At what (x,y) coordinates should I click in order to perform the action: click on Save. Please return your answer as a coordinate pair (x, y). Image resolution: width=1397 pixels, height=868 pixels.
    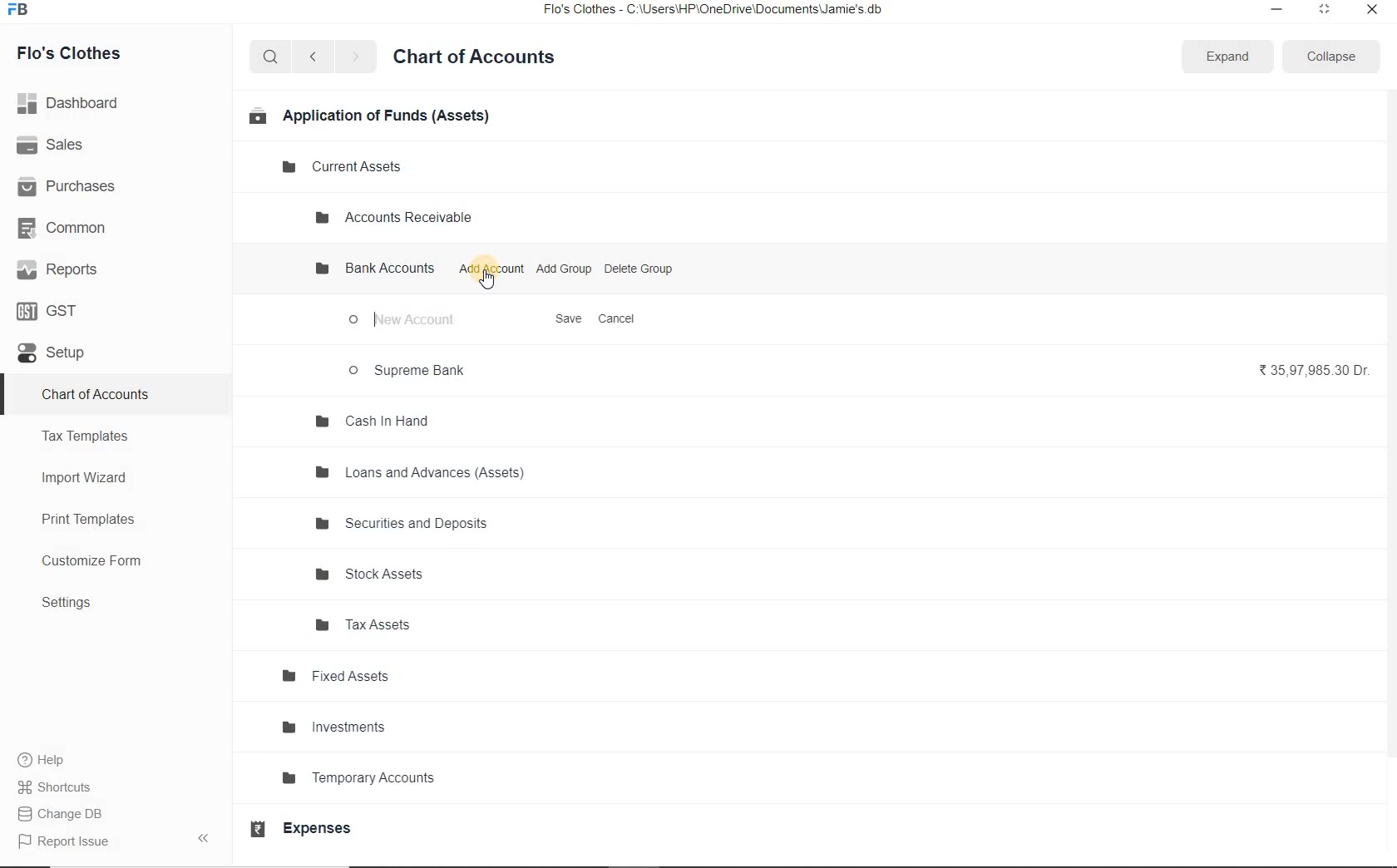
    Looking at the image, I should click on (564, 318).